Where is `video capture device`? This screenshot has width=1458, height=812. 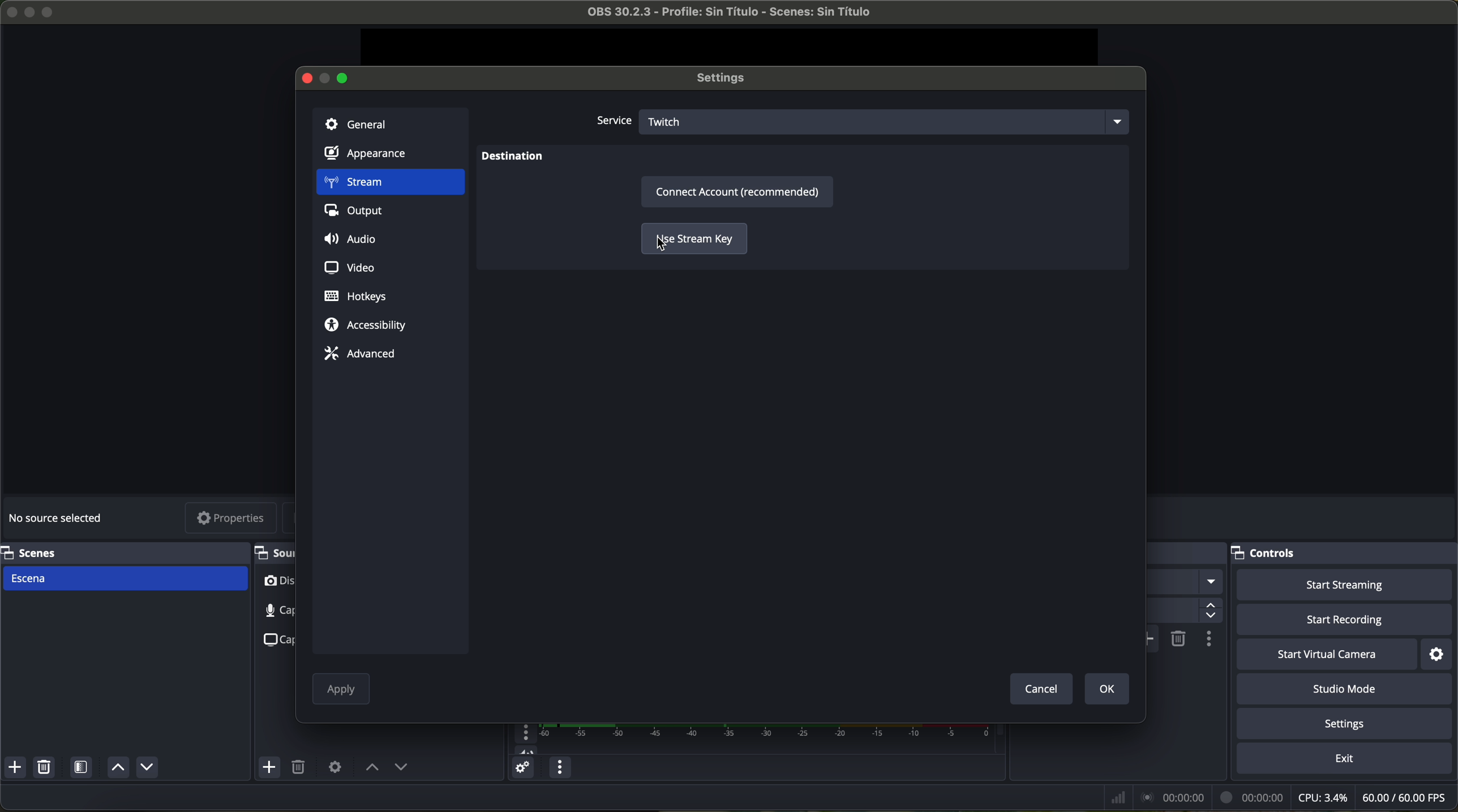
video capture device is located at coordinates (278, 583).